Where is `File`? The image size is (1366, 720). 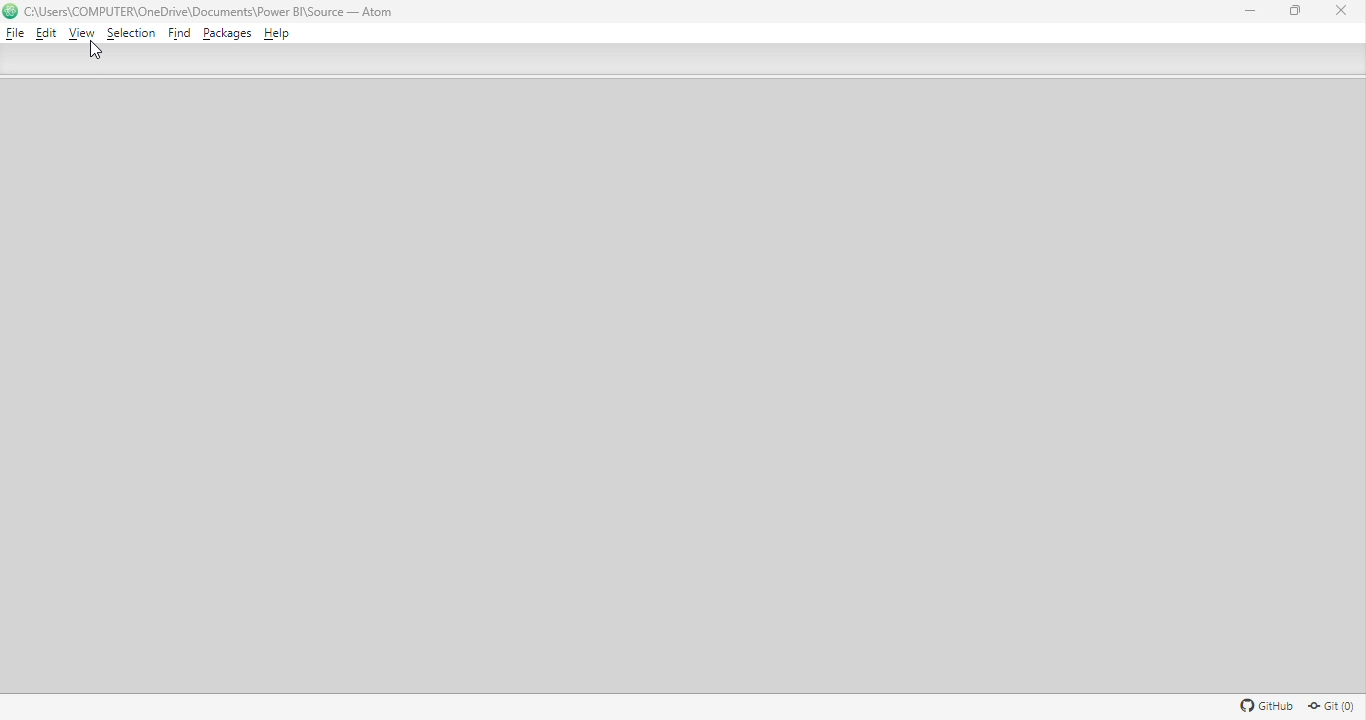 File is located at coordinates (15, 33).